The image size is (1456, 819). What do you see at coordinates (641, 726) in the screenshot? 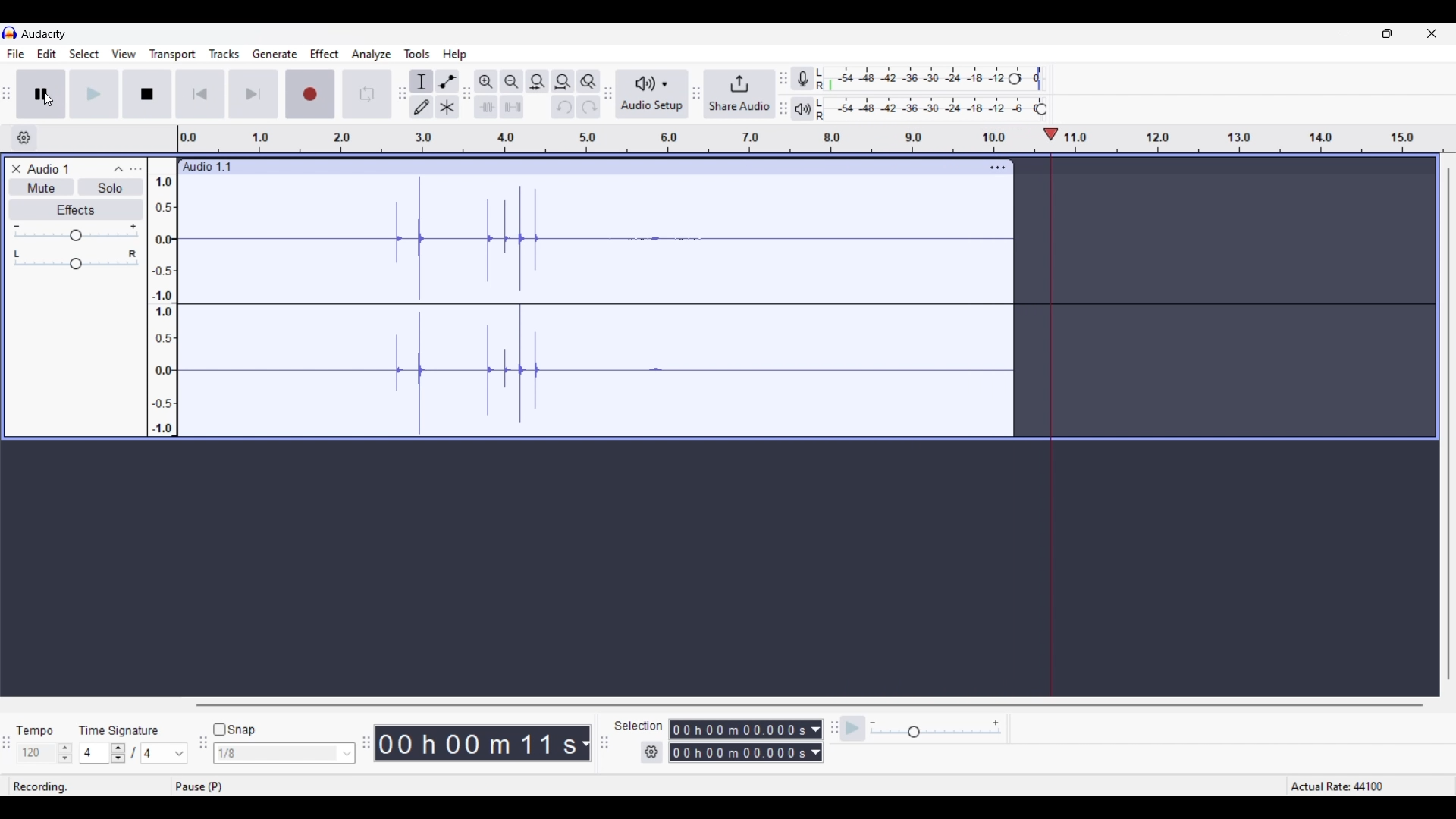
I see `selection` at bounding box center [641, 726].